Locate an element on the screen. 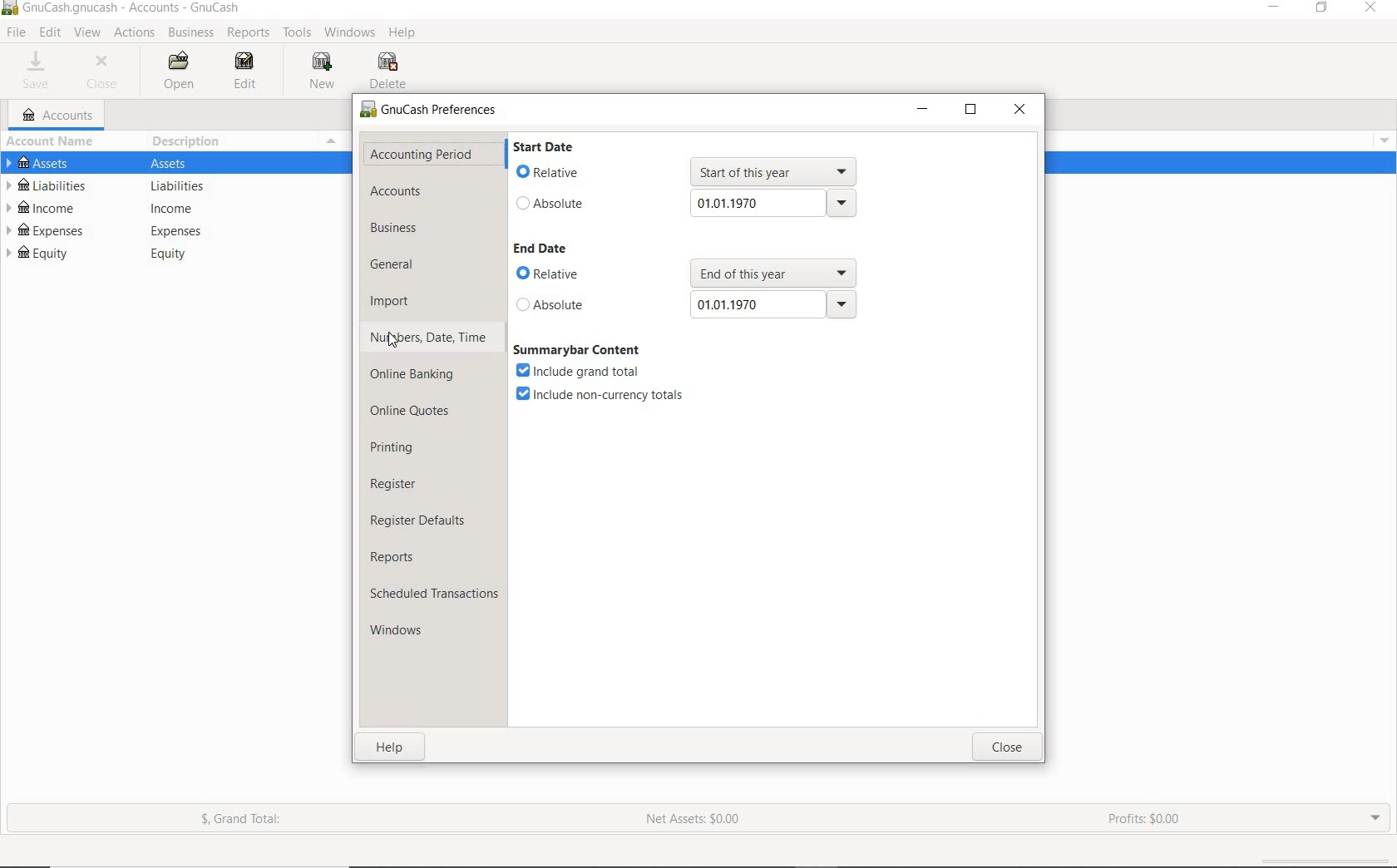  summarybar content is located at coordinates (577, 350).